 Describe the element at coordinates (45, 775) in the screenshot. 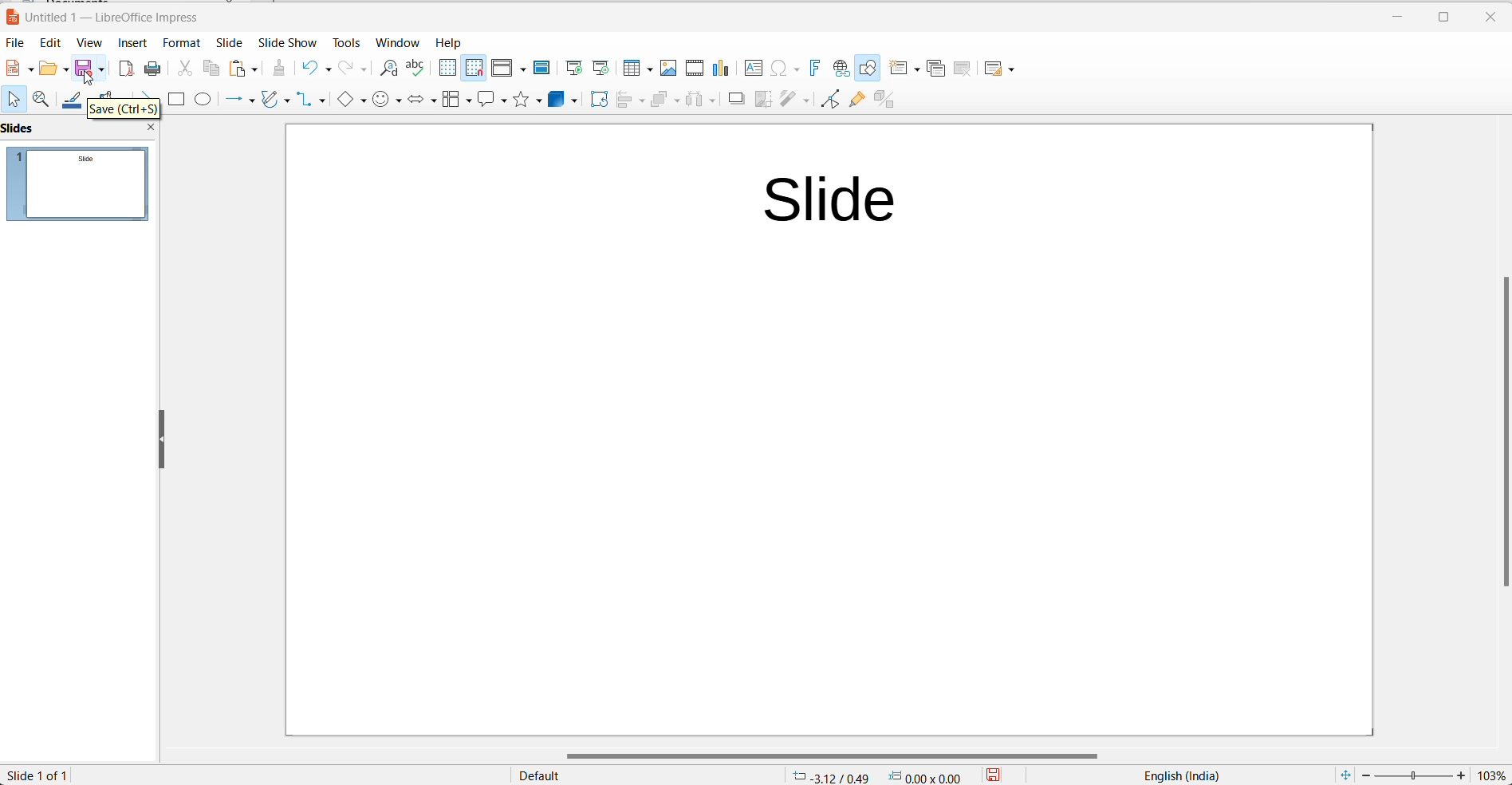

I see `slide number` at that location.